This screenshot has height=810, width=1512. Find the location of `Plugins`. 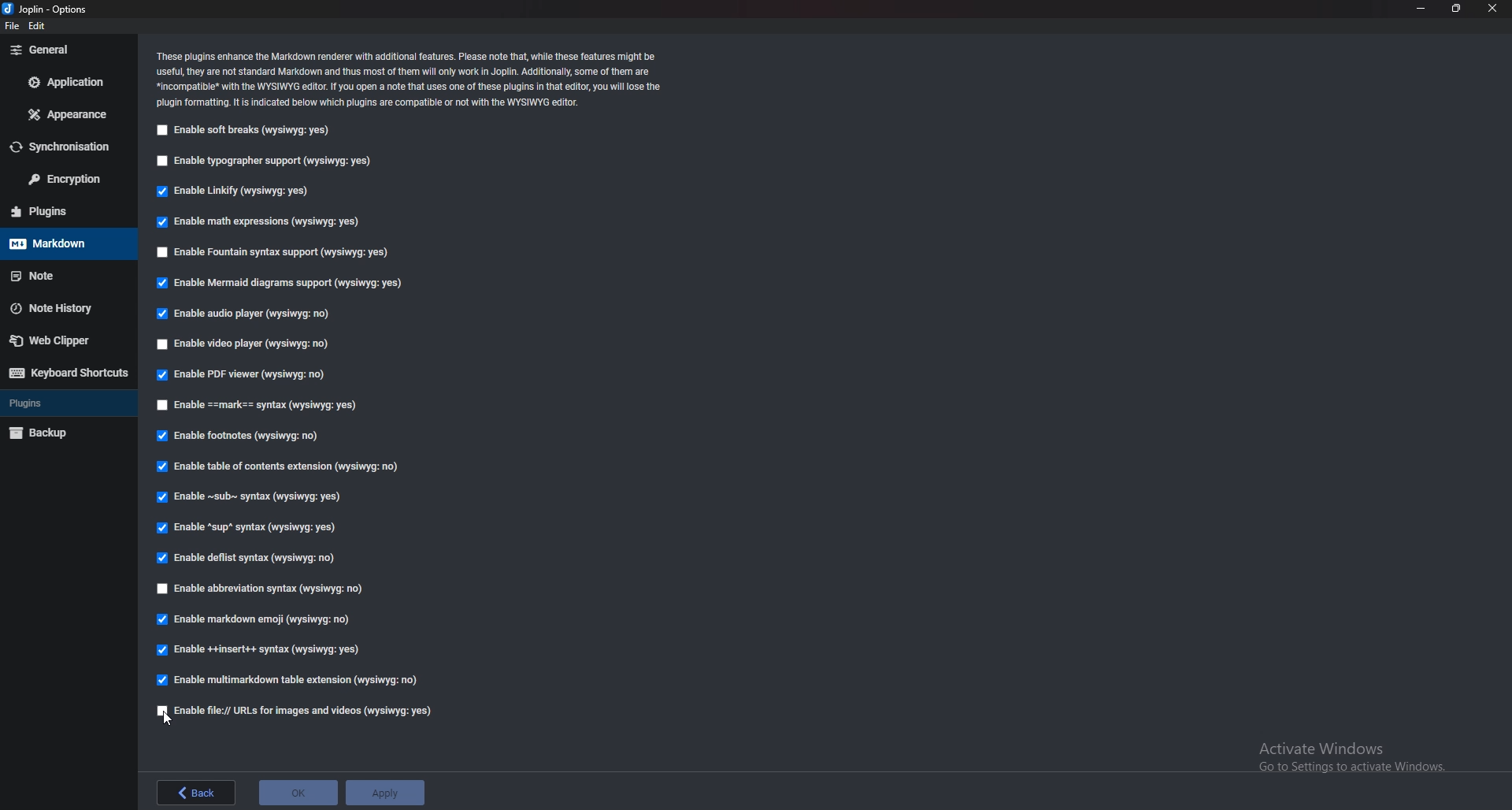

Plugins is located at coordinates (57, 403).